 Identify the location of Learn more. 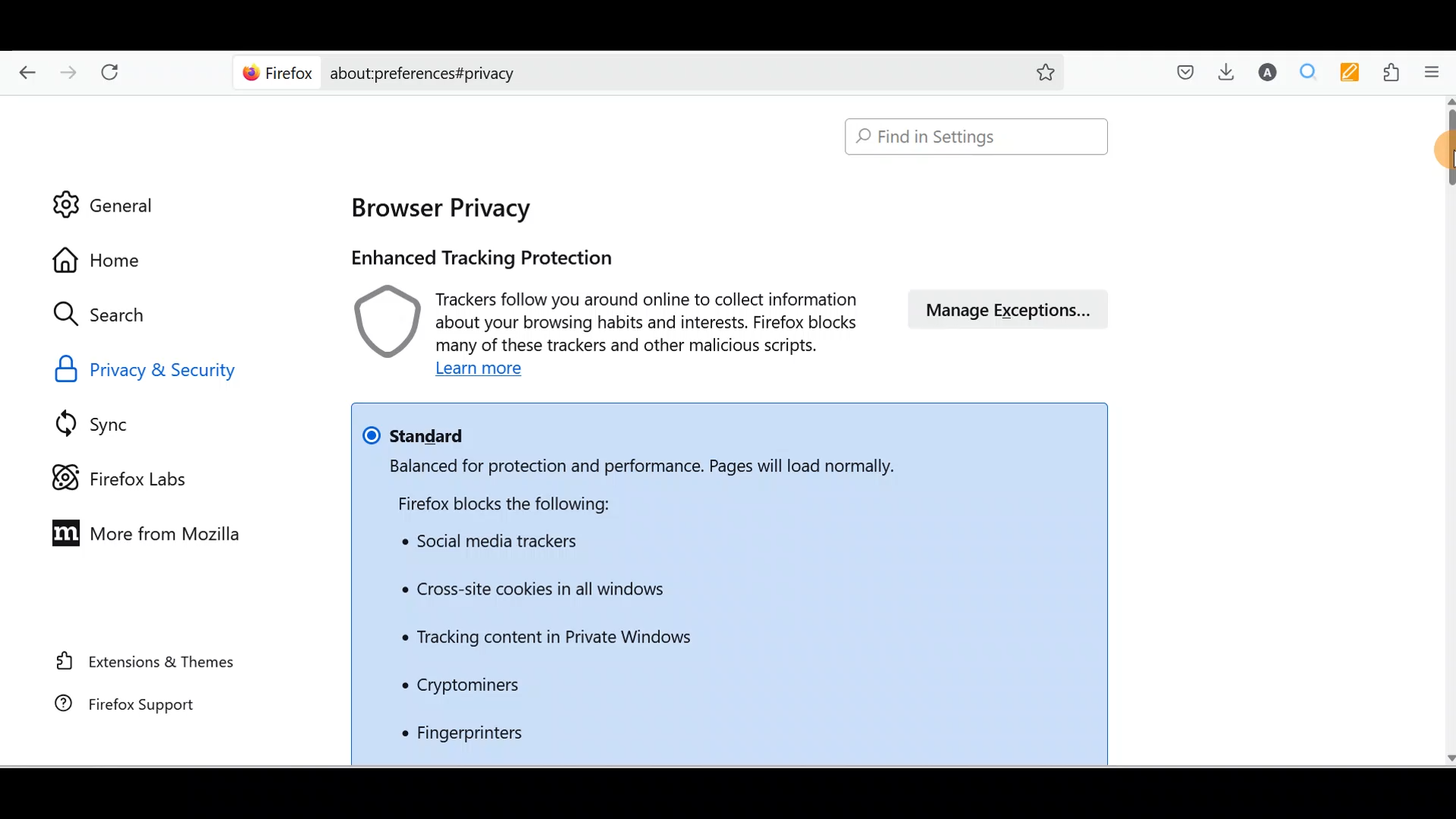
(477, 370).